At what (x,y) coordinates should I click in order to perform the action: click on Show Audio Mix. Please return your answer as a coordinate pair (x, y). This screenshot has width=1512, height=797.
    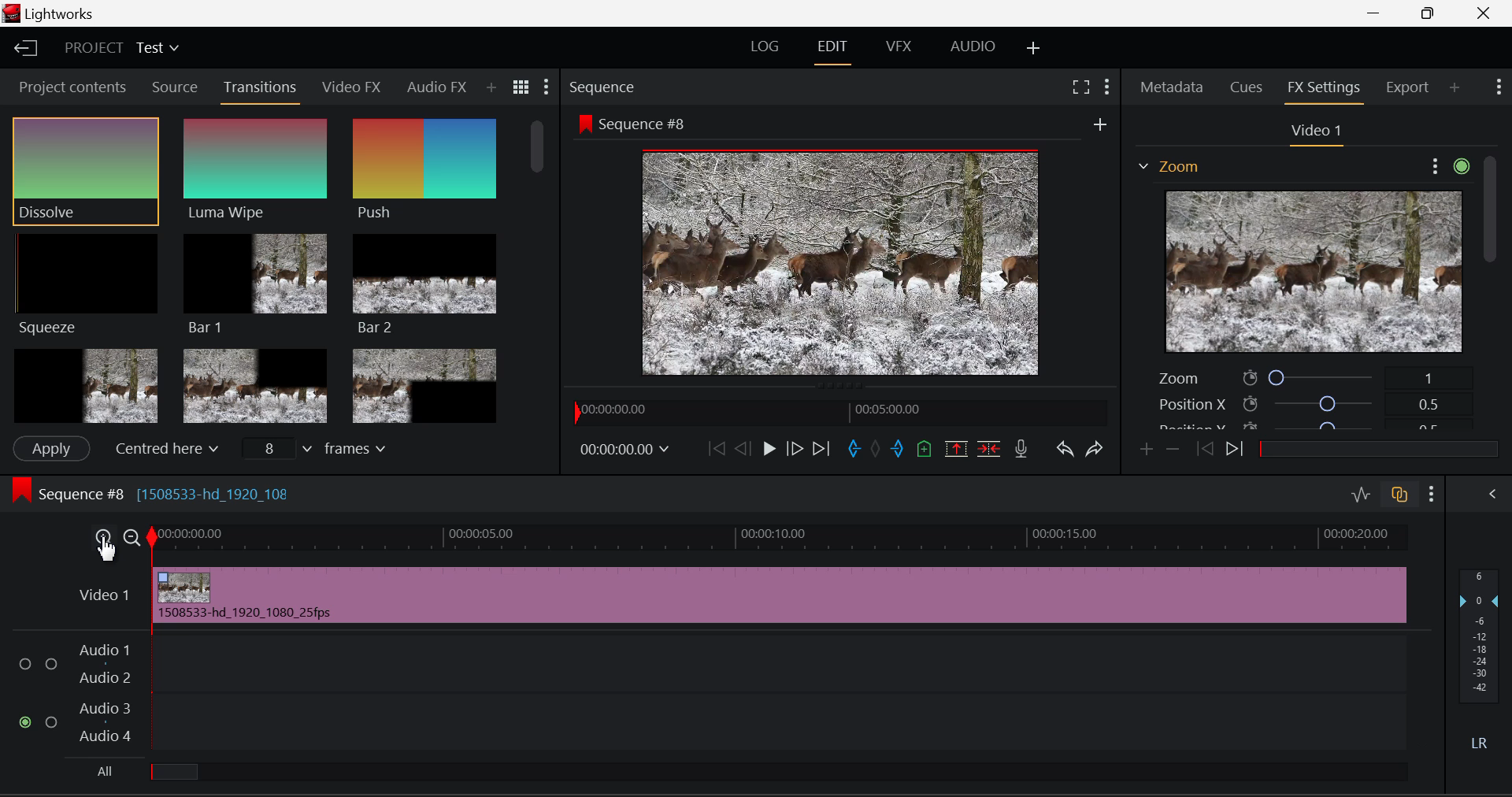
    Looking at the image, I should click on (1493, 494).